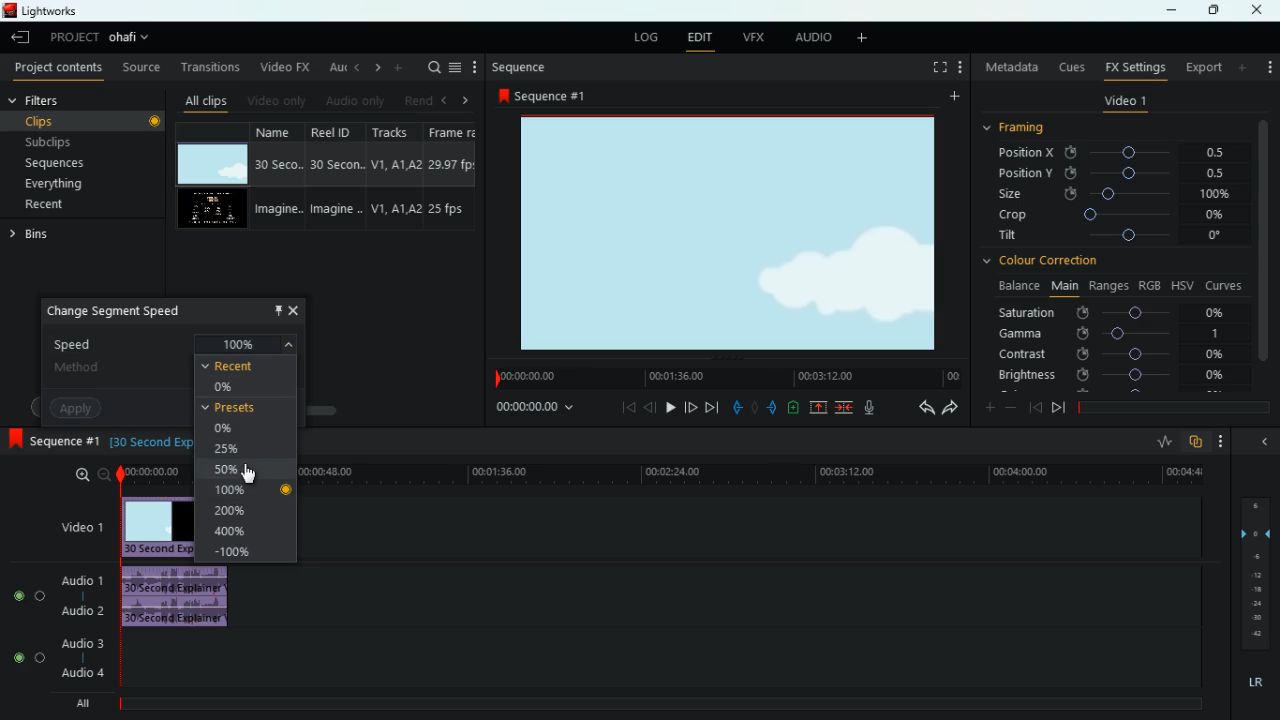 This screenshot has width=1280, height=720. What do you see at coordinates (30, 595) in the screenshot?
I see `Audio` at bounding box center [30, 595].